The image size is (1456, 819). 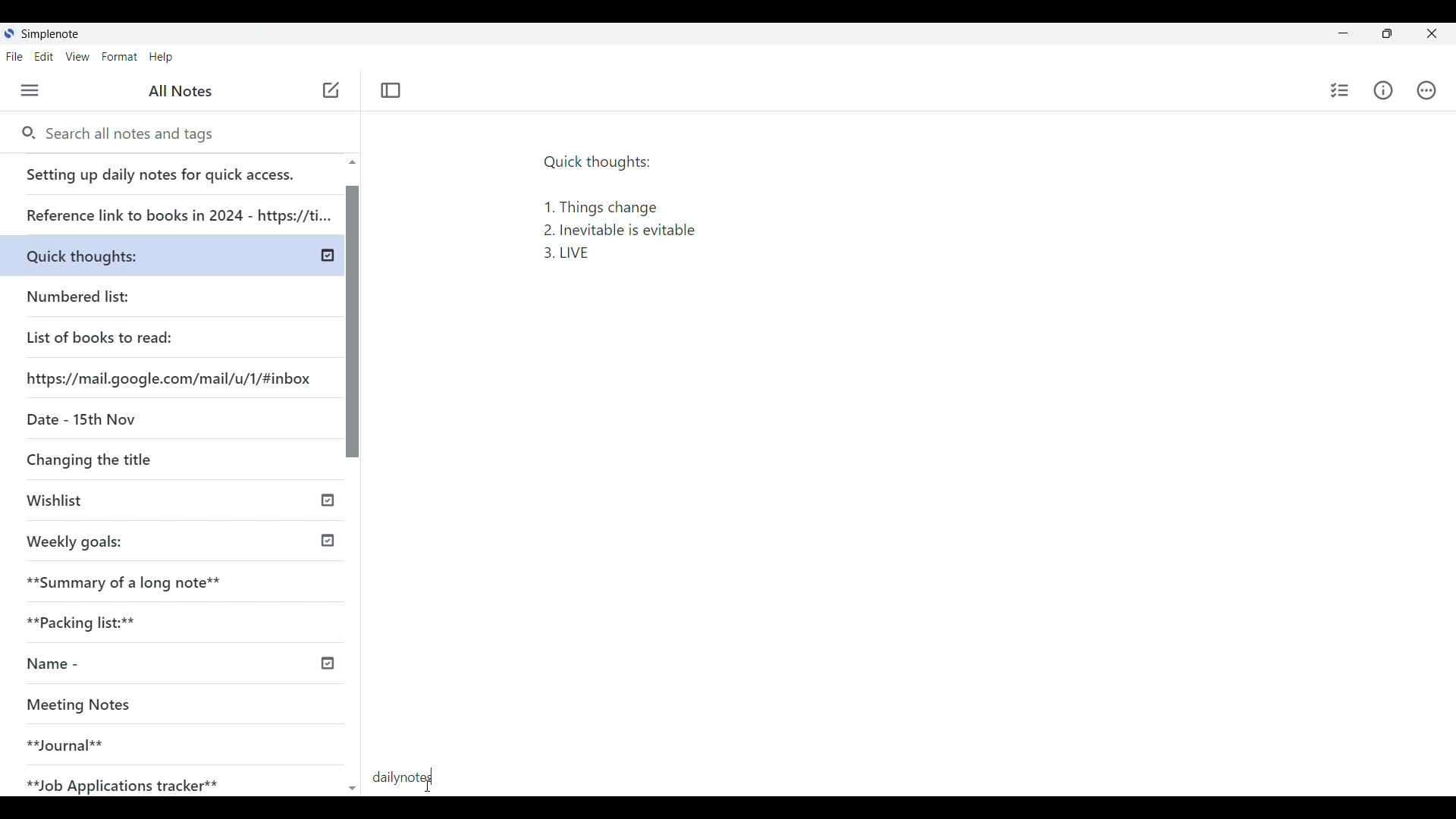 What do you see at coordinates (108, 664) in the screenshot?
I see `Name` at bounding box center [108, 664].